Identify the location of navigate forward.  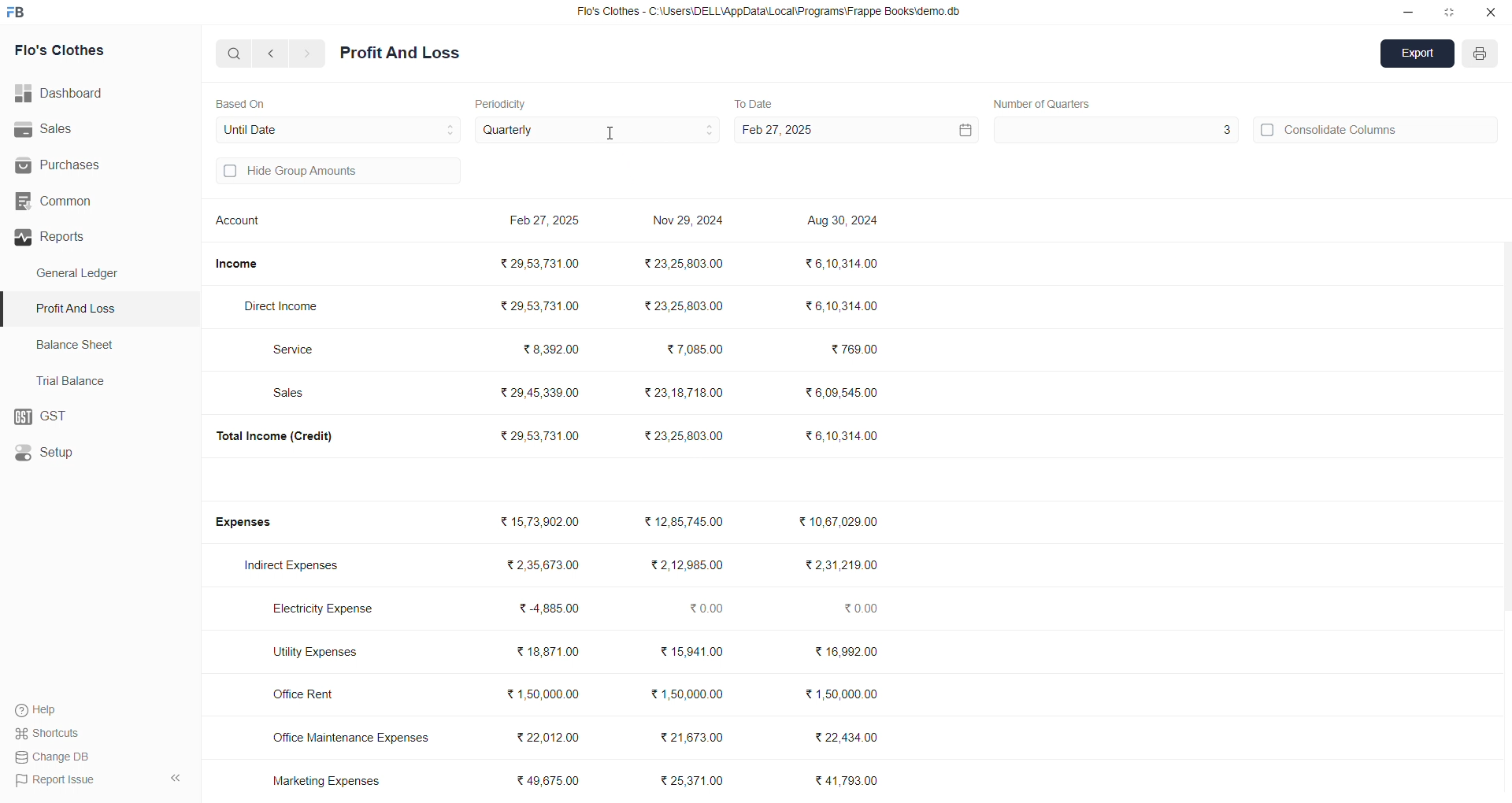
(308, 54).